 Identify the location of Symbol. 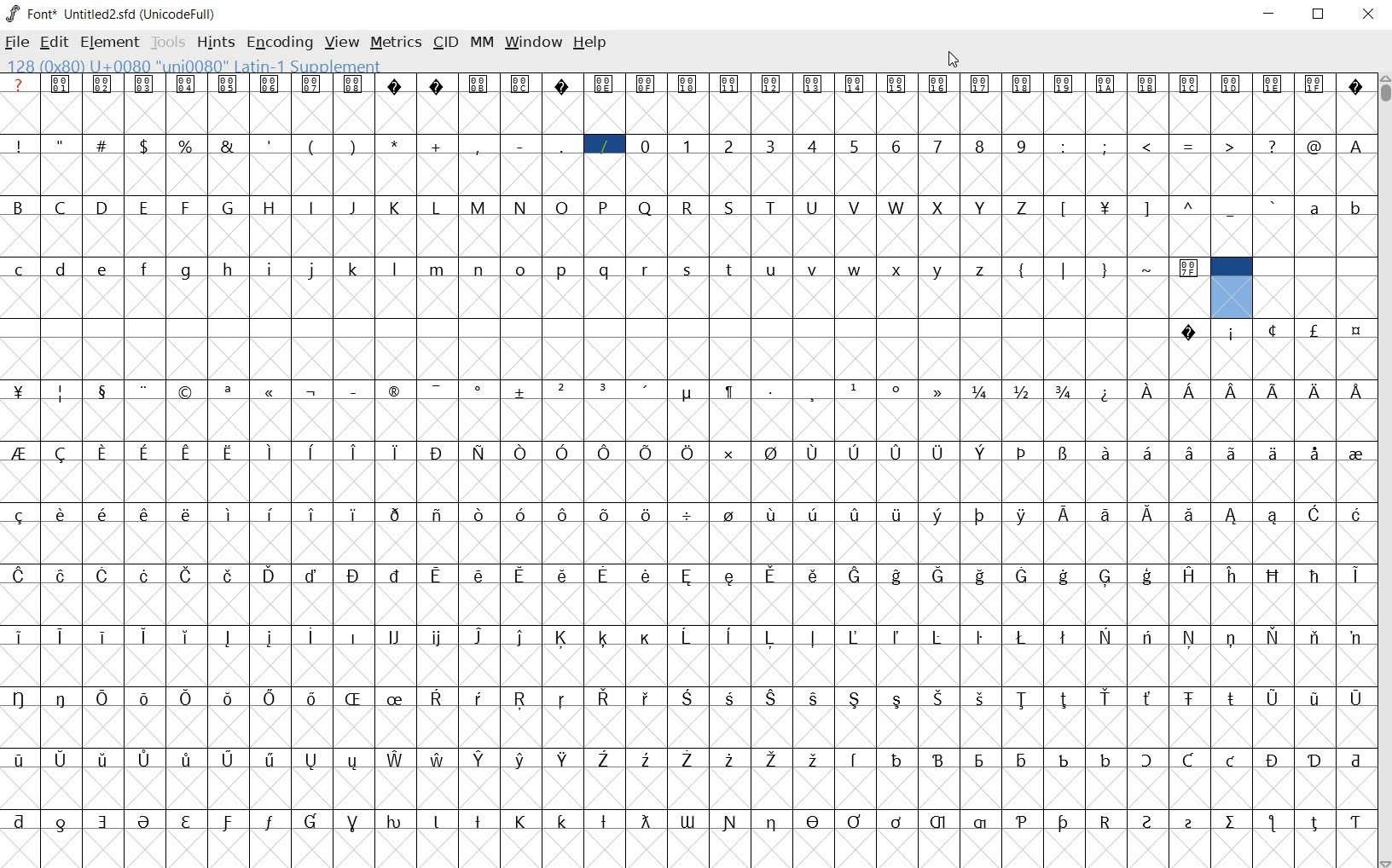
(1066, 822).